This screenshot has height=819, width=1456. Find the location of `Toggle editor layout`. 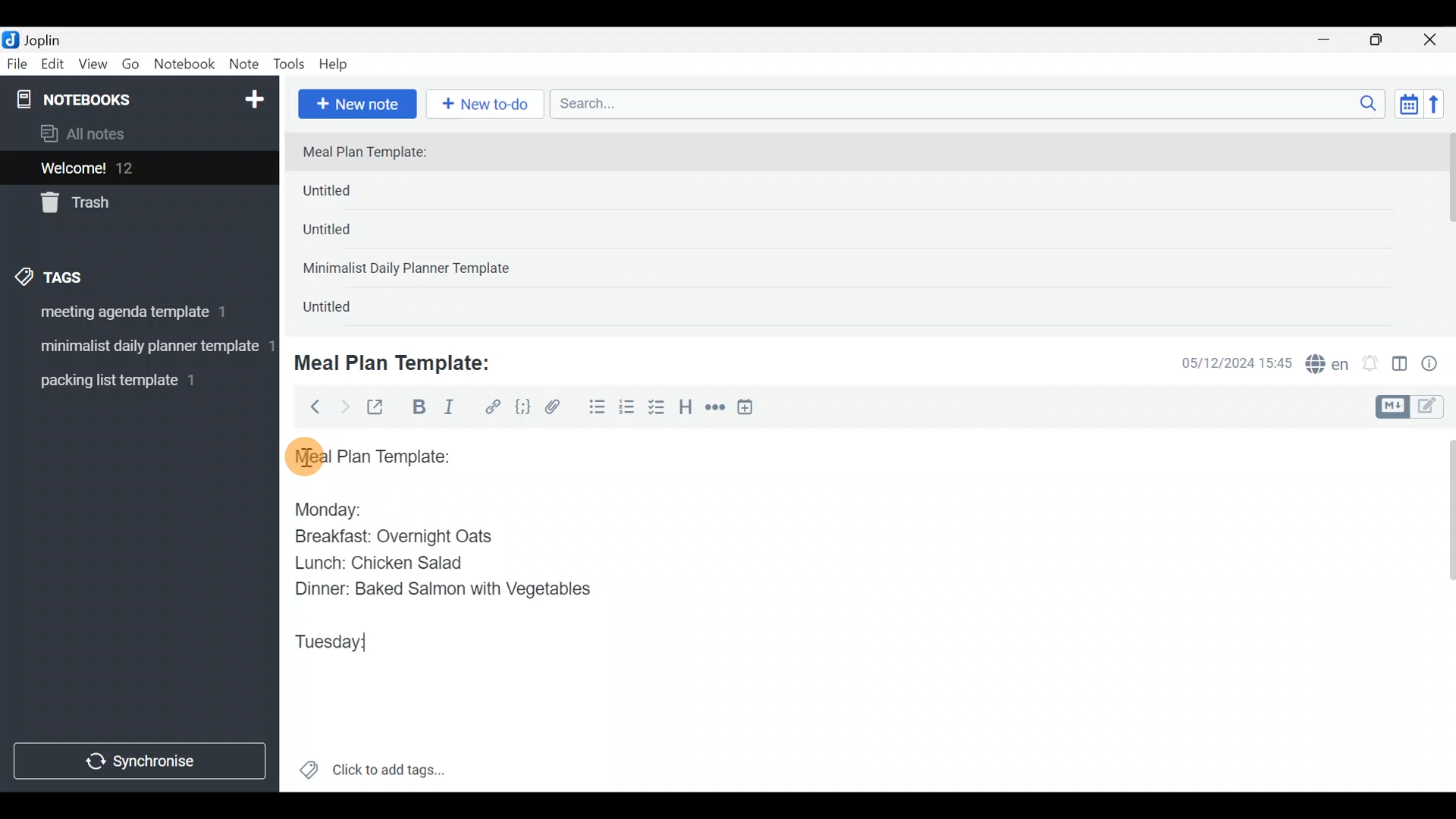

Toggle editor layout is located at coordinates (1401, 366).